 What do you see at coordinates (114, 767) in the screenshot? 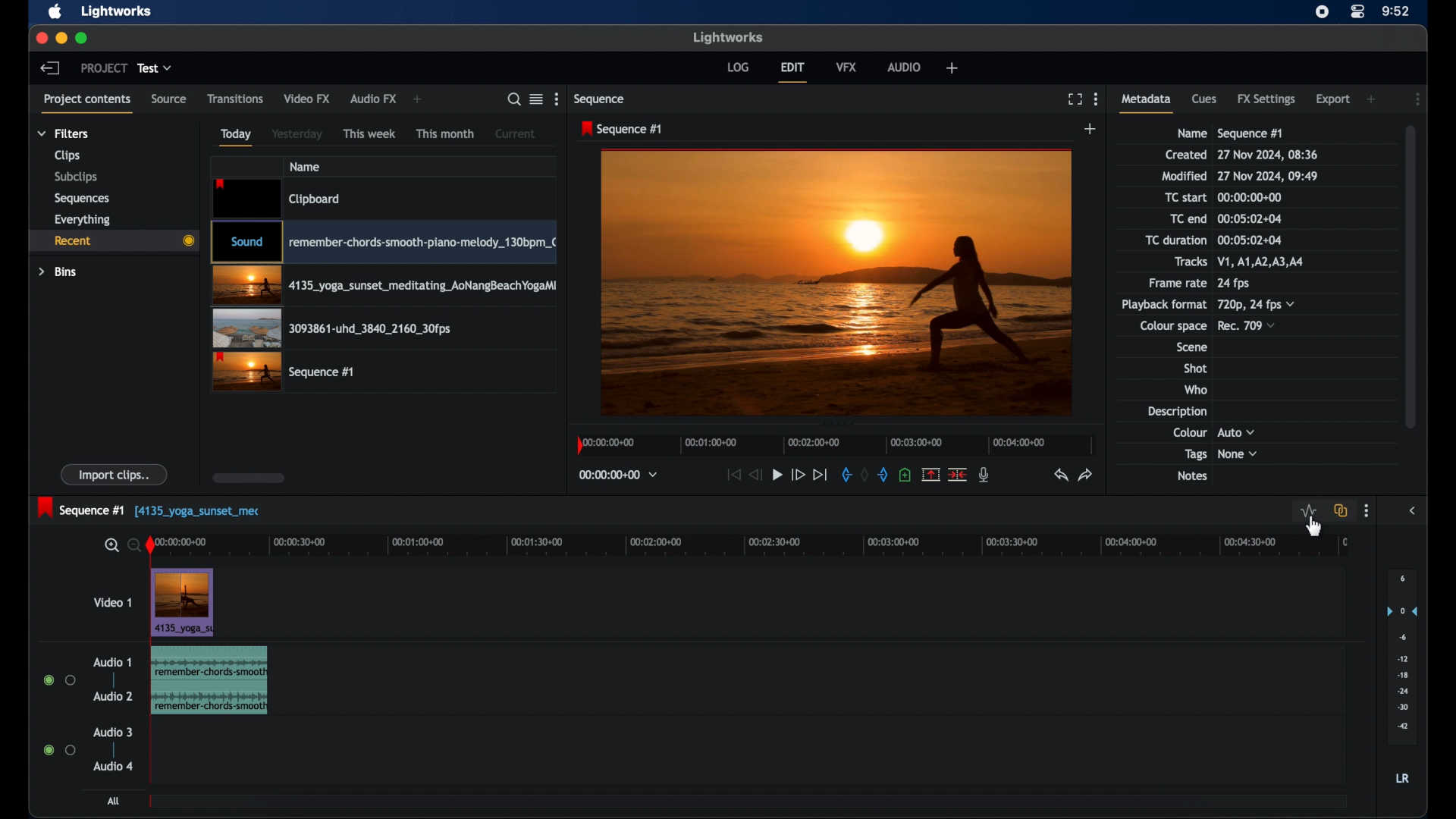
I see `audio 4` at bounding box center [114, 767].